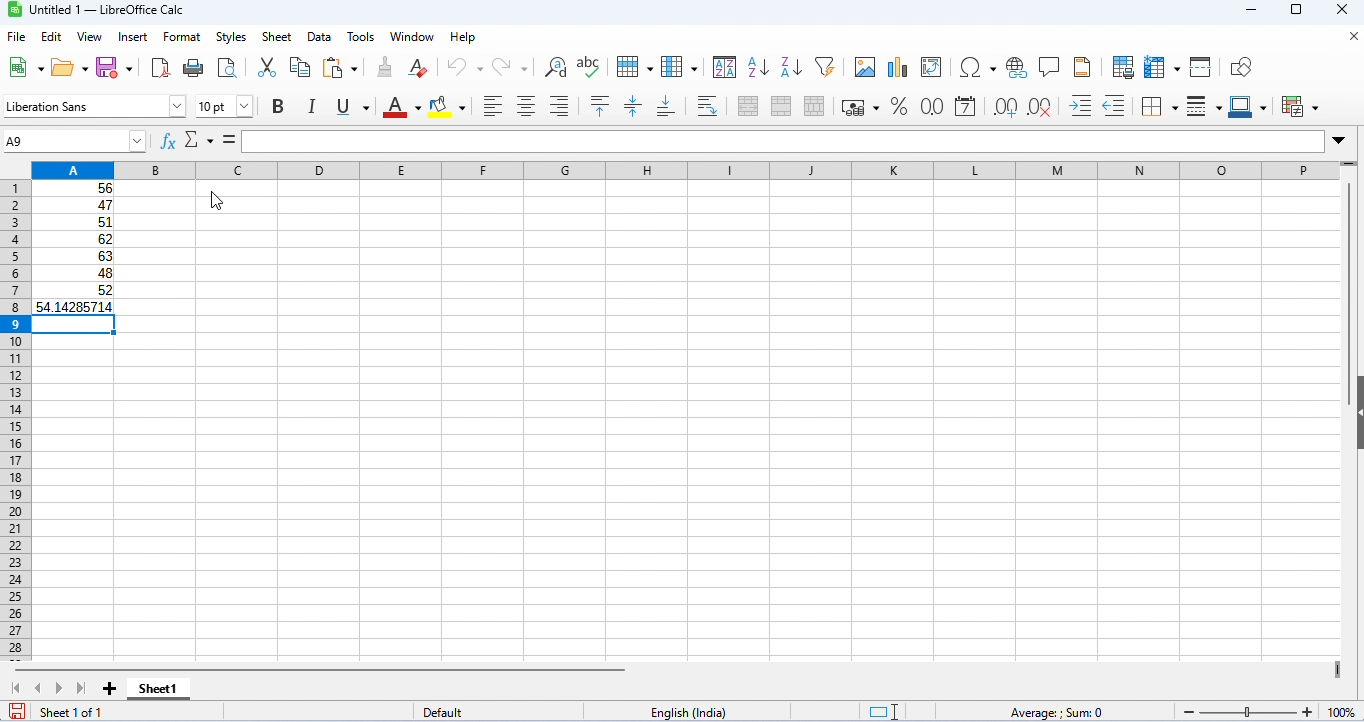 The height and width of the screenshot is (722, 1364). I want to click on window, so click(415, 37).